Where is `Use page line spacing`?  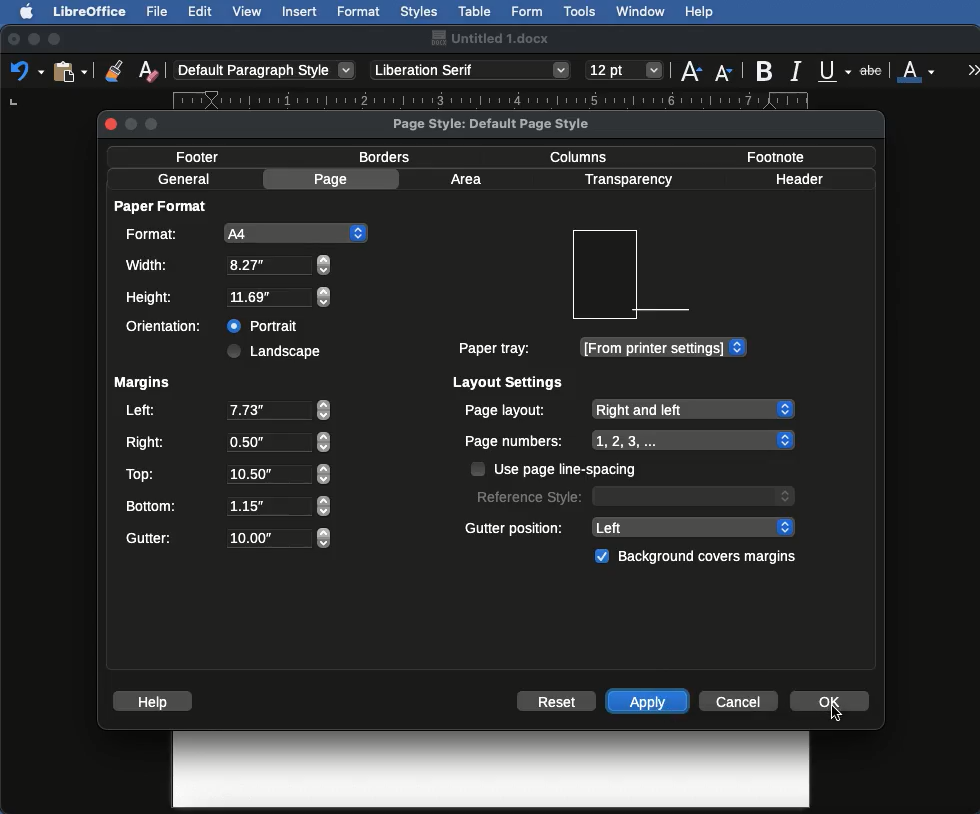
Use page line spacing is located at coordinates (556, 469).